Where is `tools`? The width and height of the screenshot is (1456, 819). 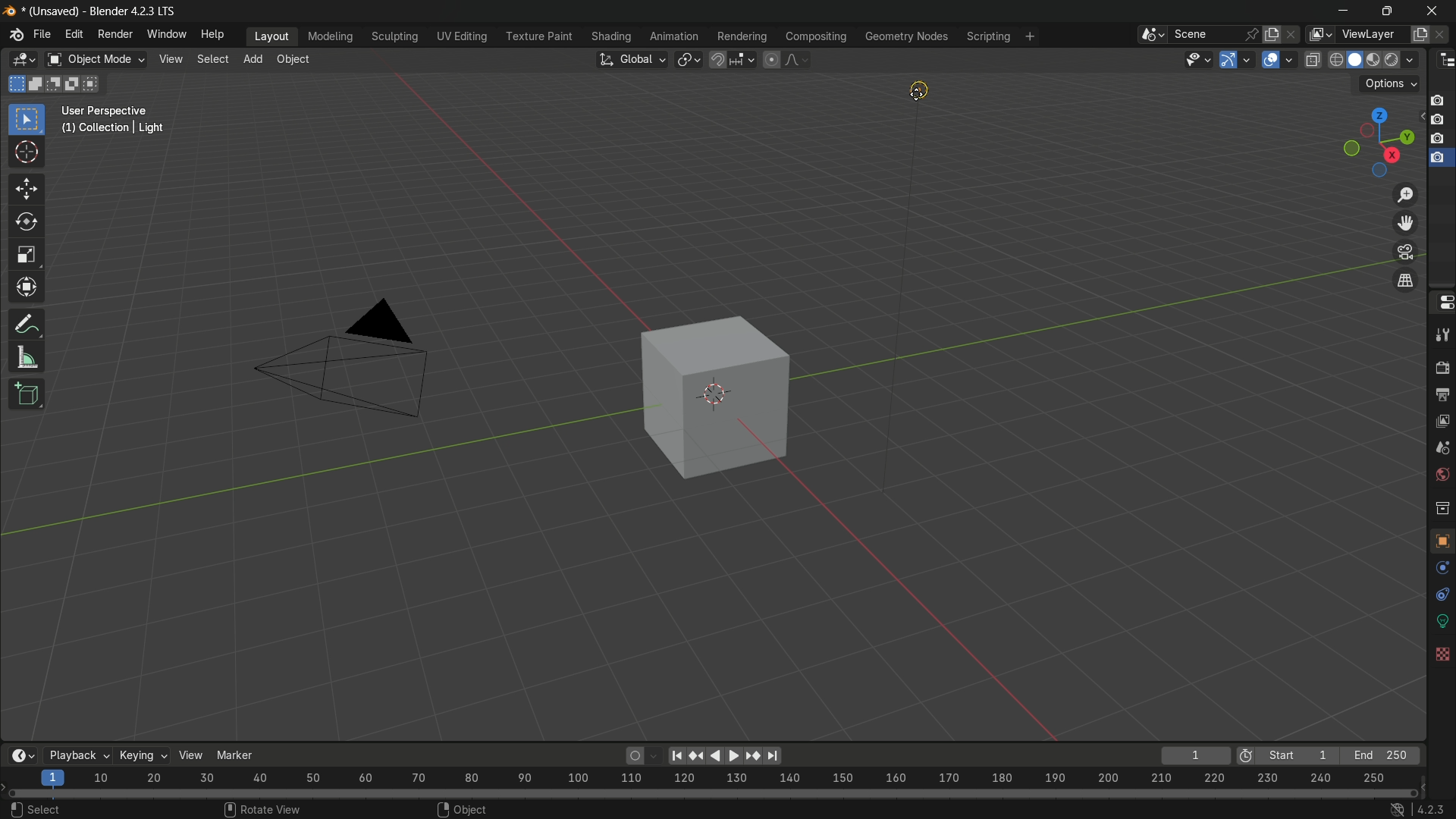 tools is located at coordinates (1442, 337).